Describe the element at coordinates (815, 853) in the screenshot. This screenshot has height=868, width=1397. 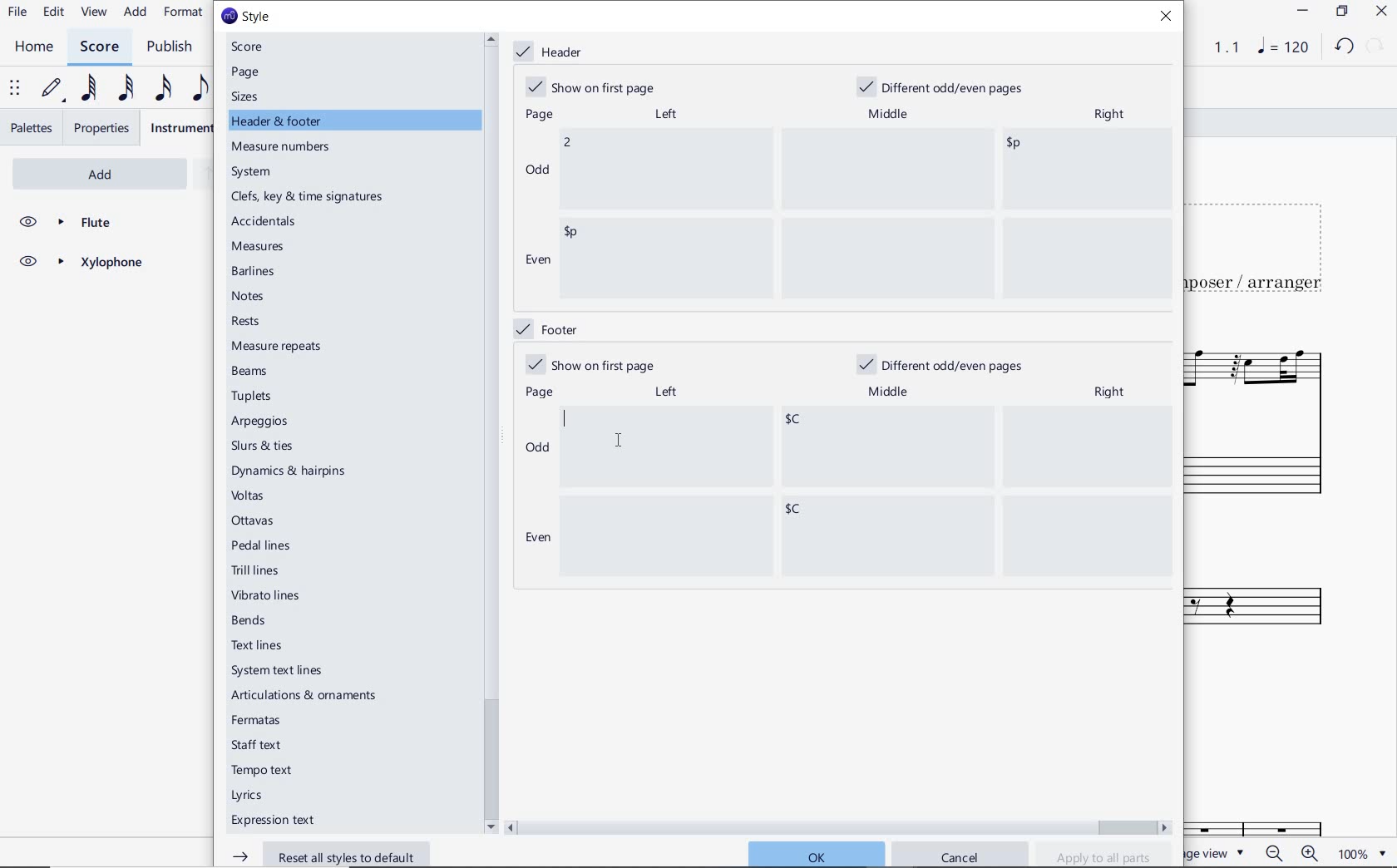
I see `ok` at that location.